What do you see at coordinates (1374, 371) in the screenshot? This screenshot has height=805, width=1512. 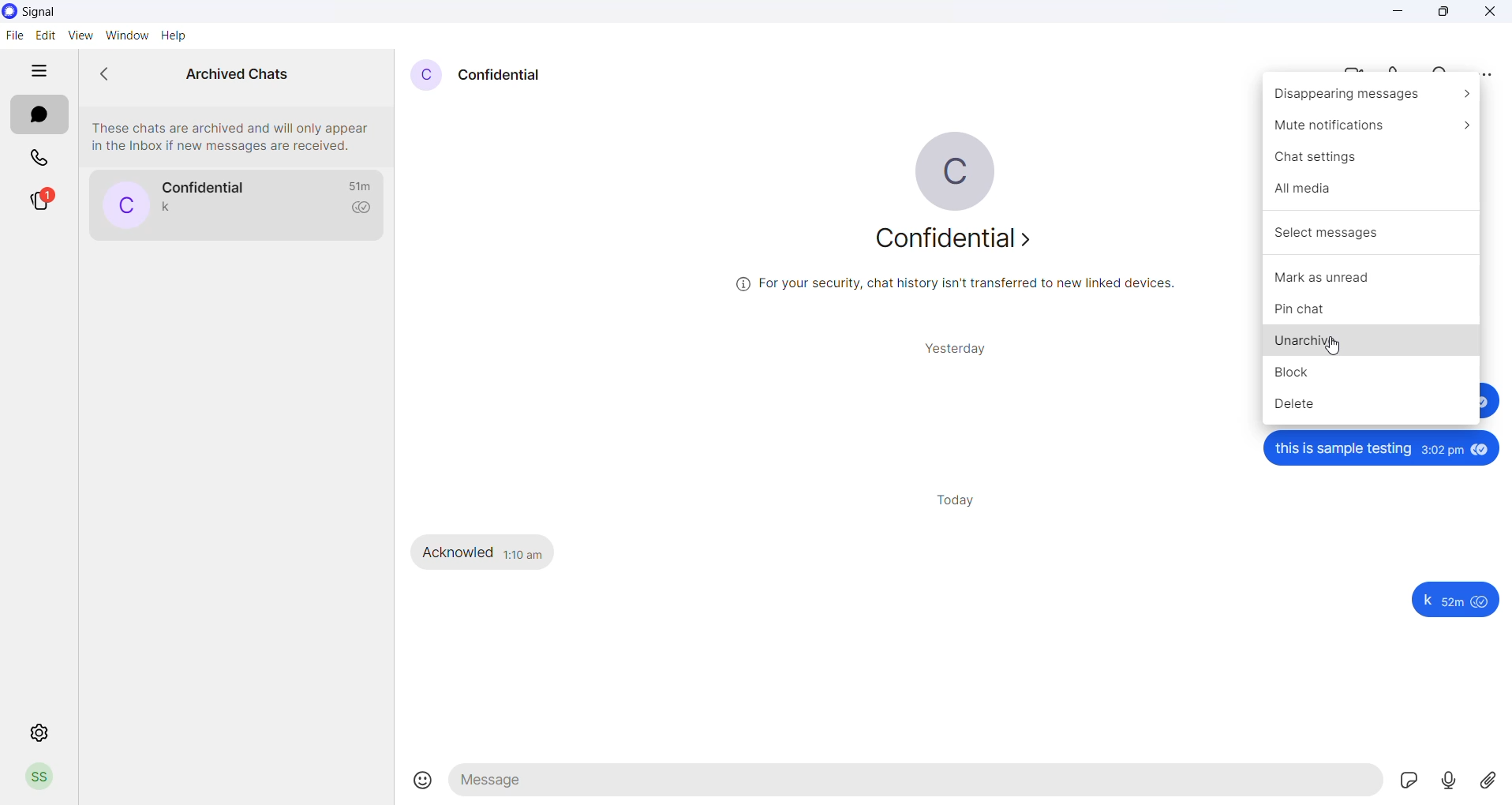 I see `block` at bounding box center [1374, 371].